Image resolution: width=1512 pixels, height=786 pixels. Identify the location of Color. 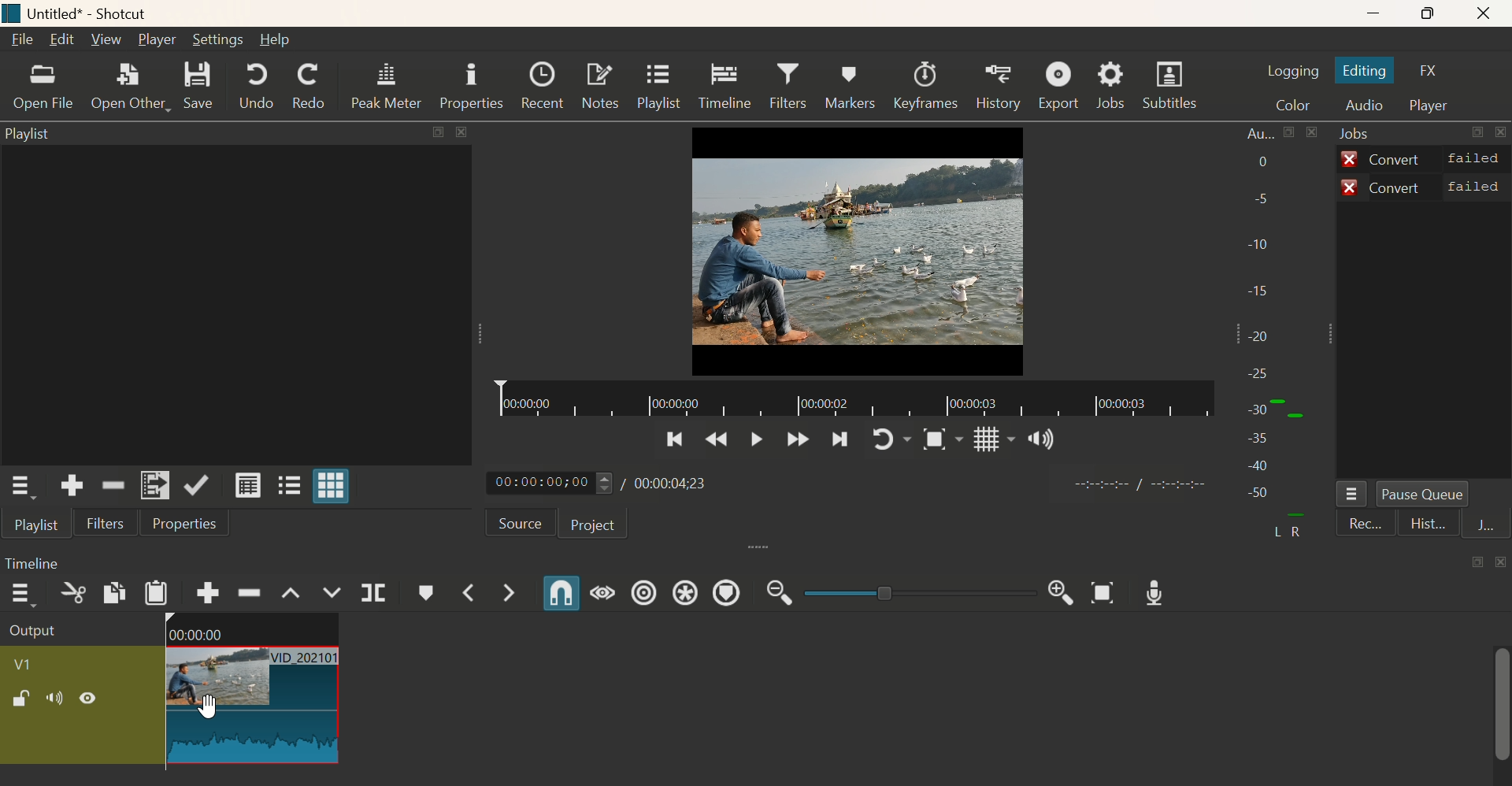
(1290, 102).